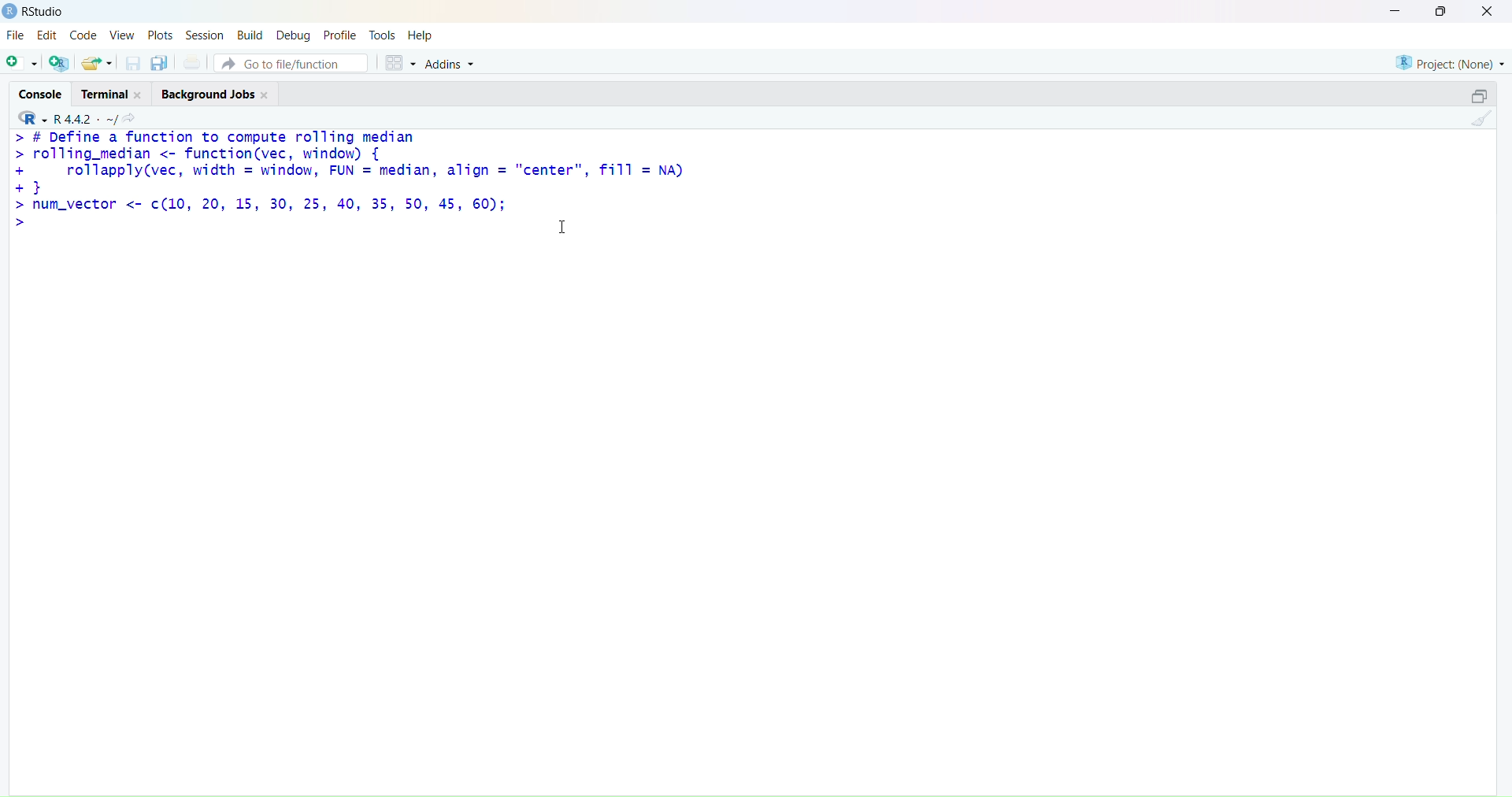  Describe the element at coordinates (11, 11) in the screenshot. I see `logo` at that location.